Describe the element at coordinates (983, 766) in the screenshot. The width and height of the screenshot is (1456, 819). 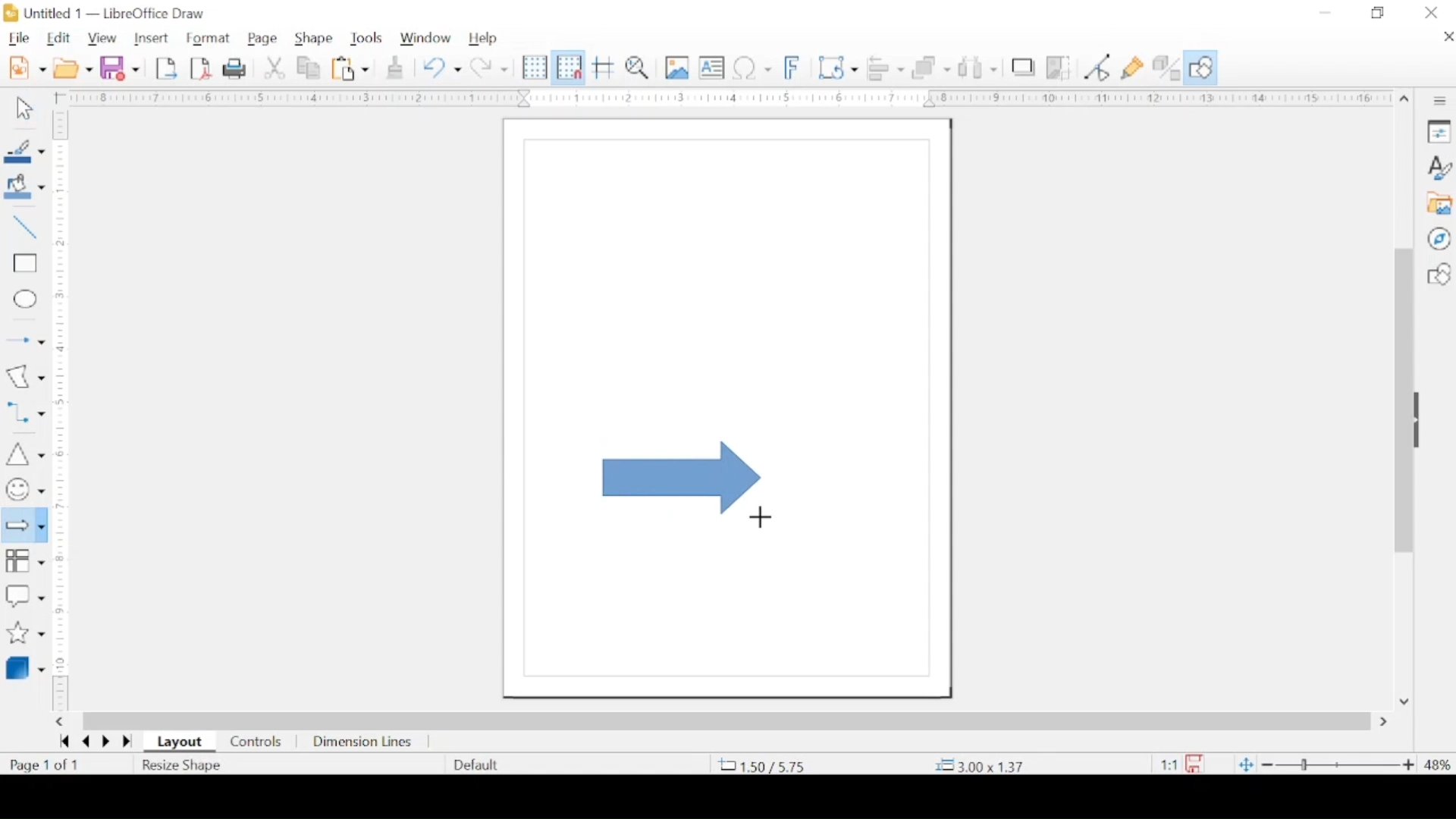
I see `coordinate` at that location.